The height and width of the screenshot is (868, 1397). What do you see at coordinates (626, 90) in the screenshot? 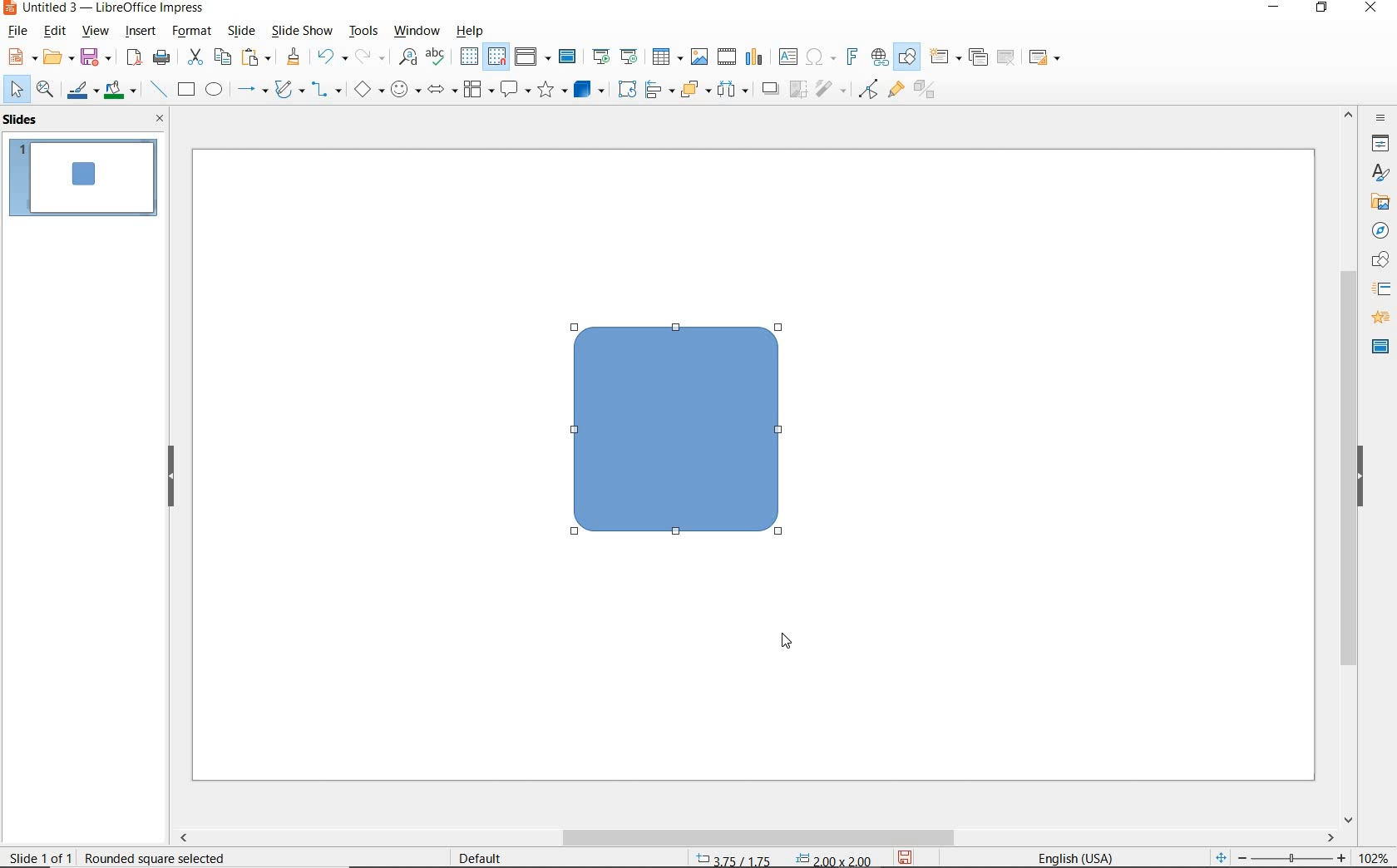
I see `rotate` at bounding box center [626, 90].